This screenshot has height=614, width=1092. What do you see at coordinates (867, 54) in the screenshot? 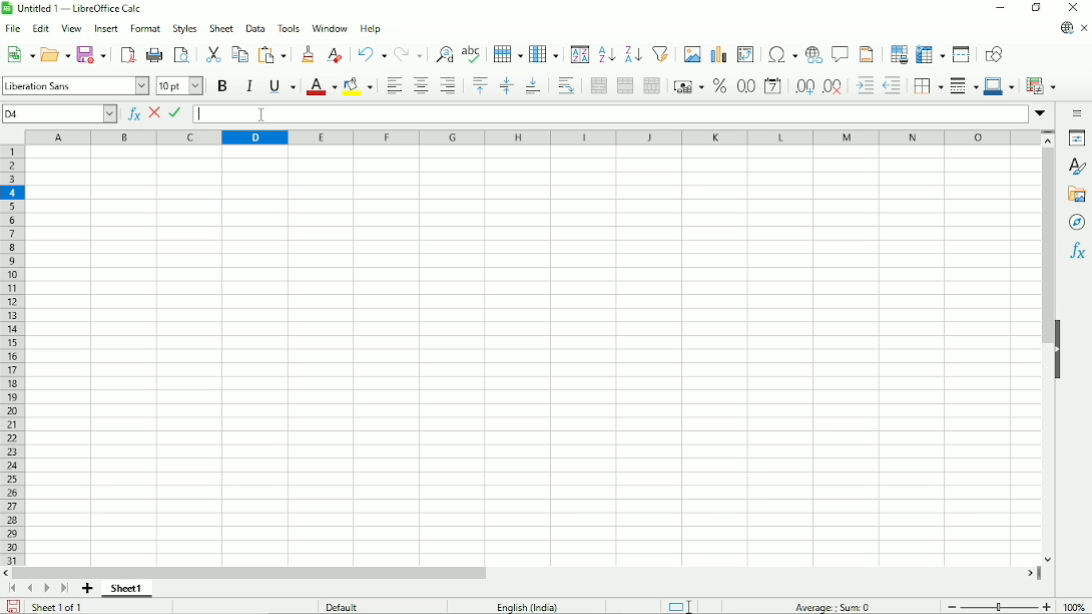
I see `Headers and footers` at bounding box center [867, 54].